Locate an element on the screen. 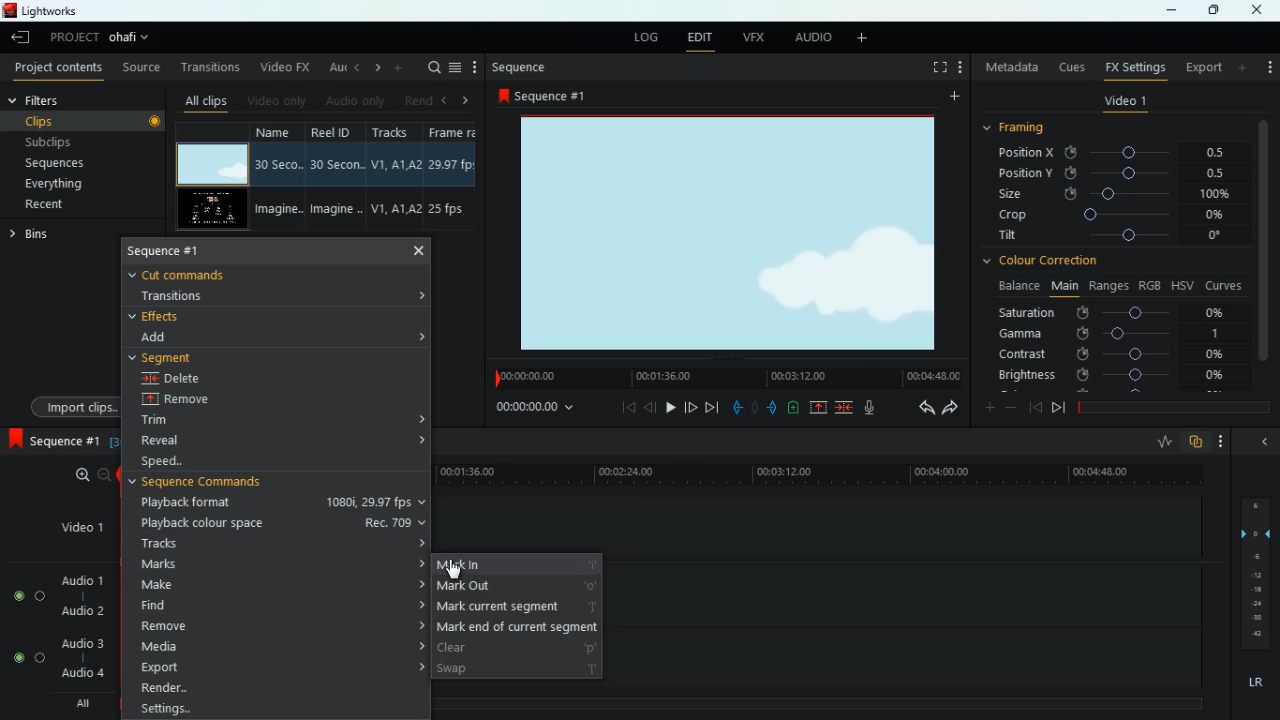 Image resolution: width=1280 pixels, height=720 pixels. add is located at coordinates (859, 39).